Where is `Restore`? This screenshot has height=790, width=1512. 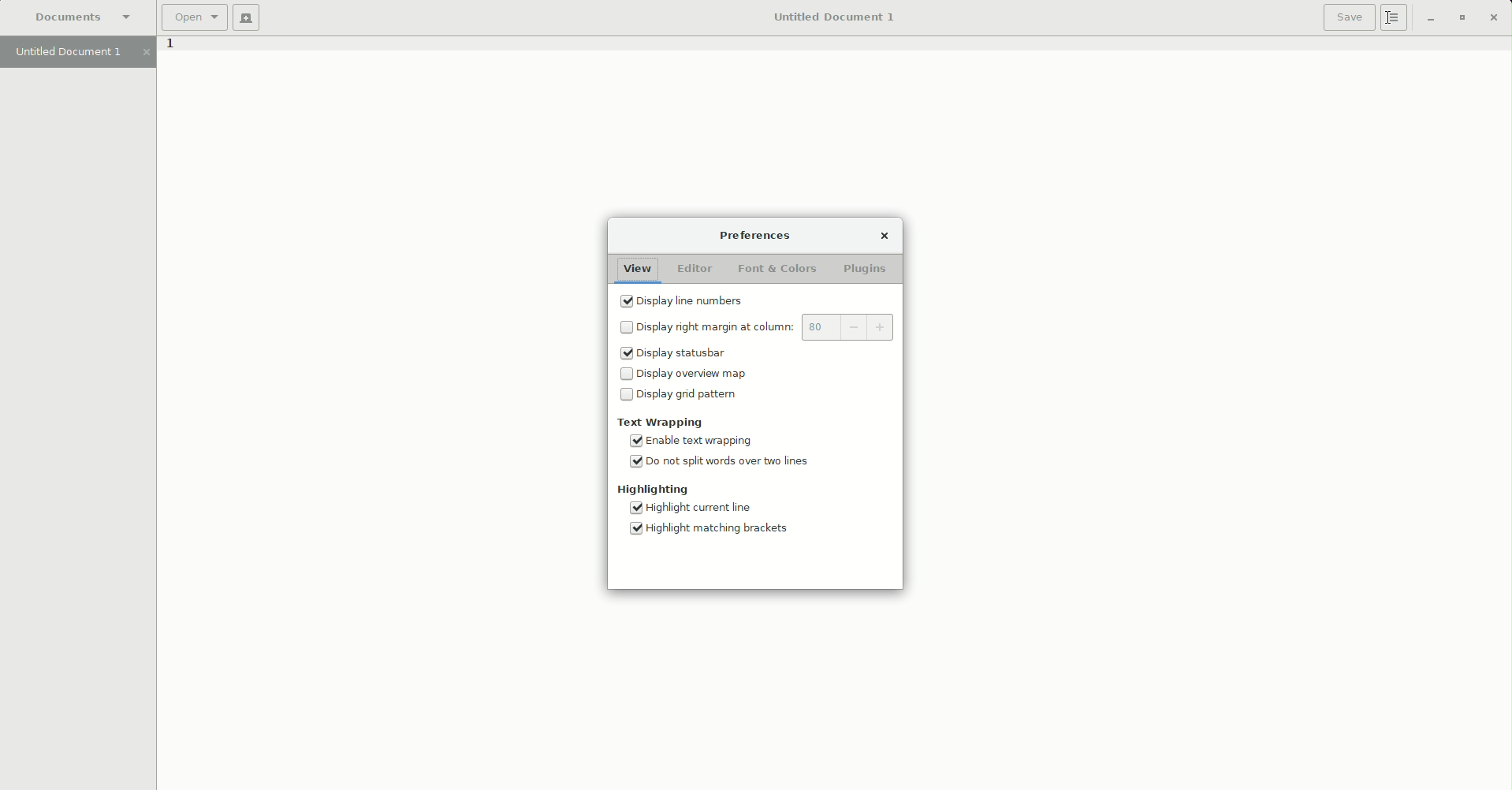
Restore is located at coordinates (1426, 20).